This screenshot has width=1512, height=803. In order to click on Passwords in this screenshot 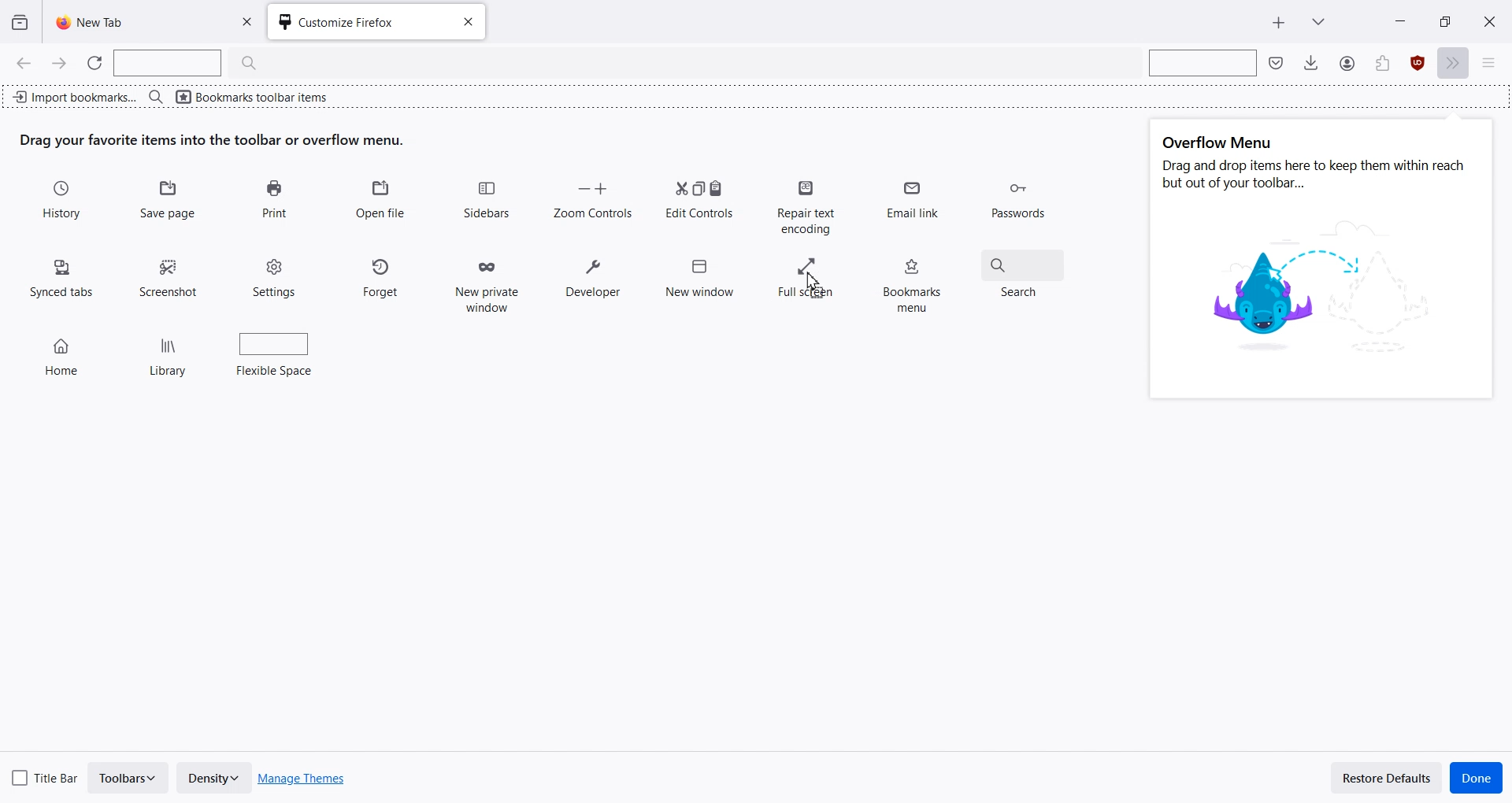, I will do `click(1017, 202)`.